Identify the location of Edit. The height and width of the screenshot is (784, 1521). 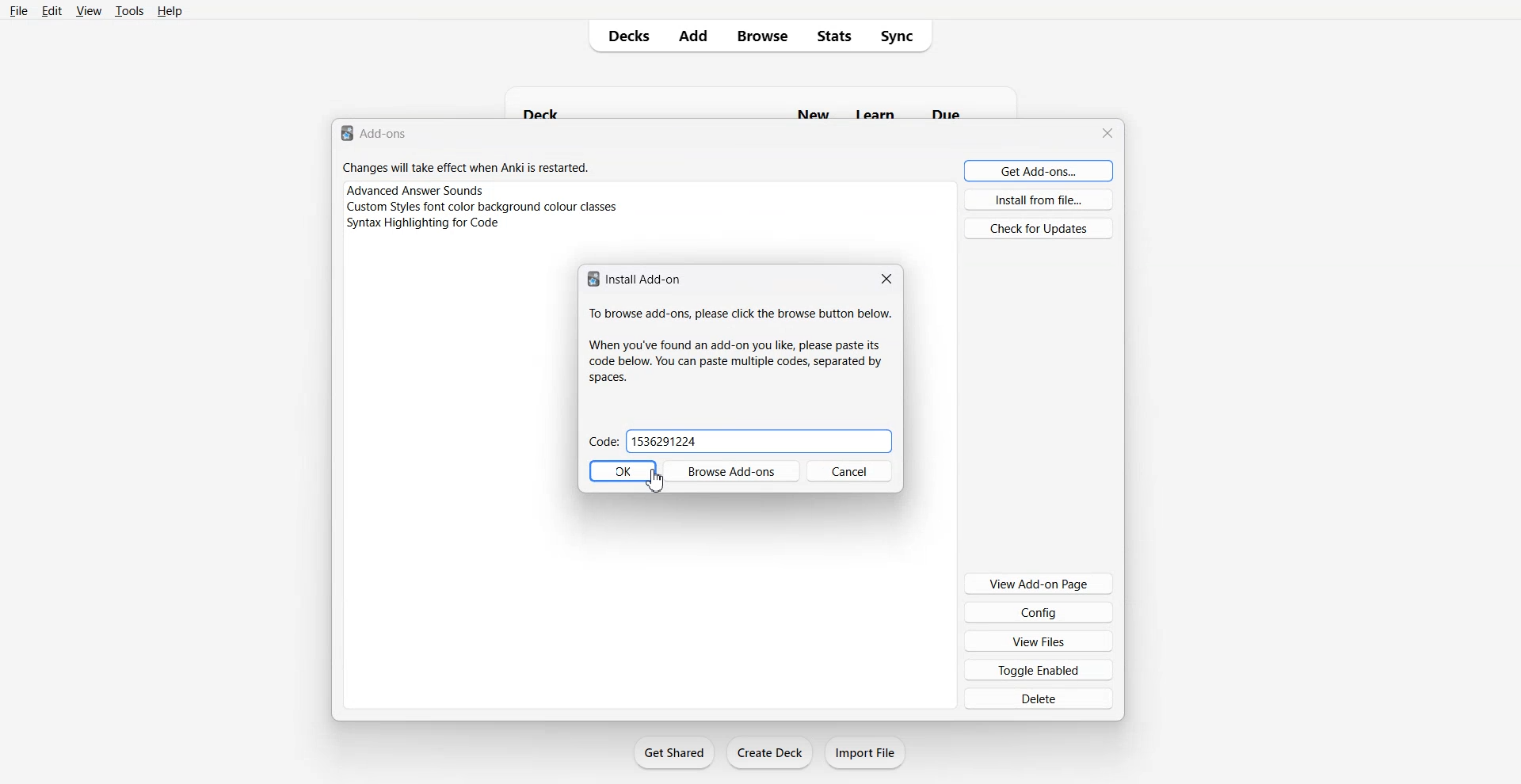
(51, 10).